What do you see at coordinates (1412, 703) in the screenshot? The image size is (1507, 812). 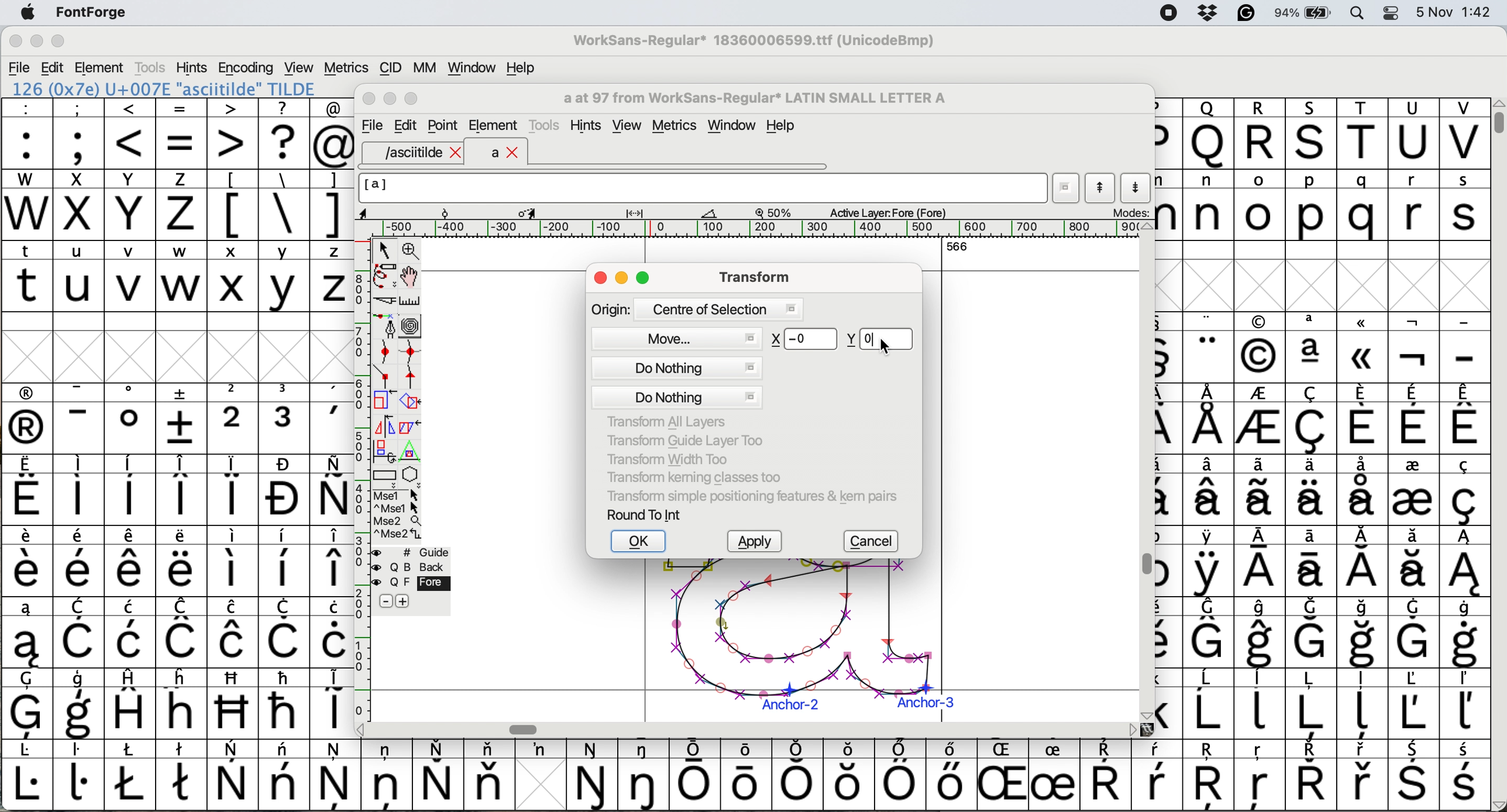 I see `symbol` at bounding box center [1412, 703].